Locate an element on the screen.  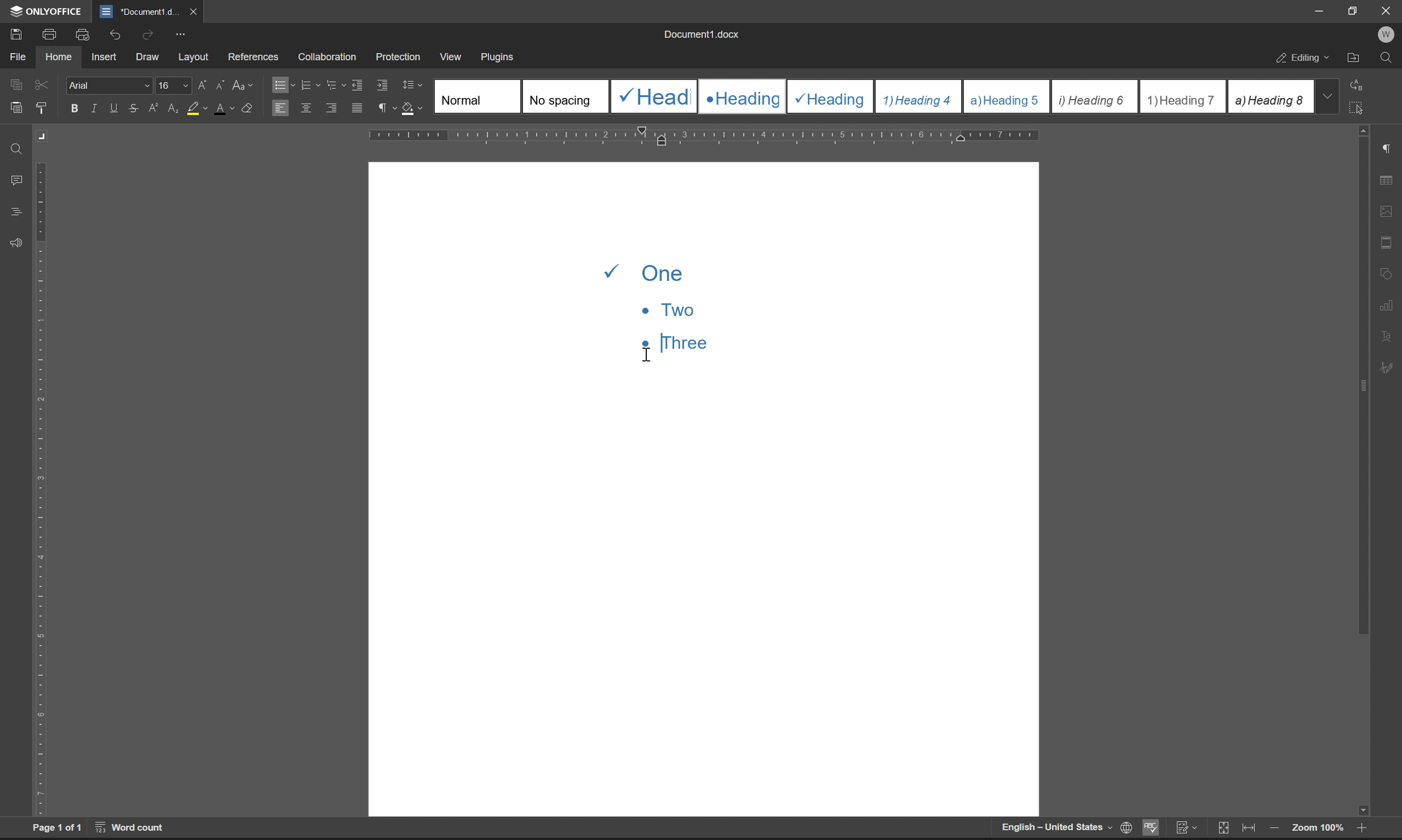
track changes is located at coordinates (1186, 828).